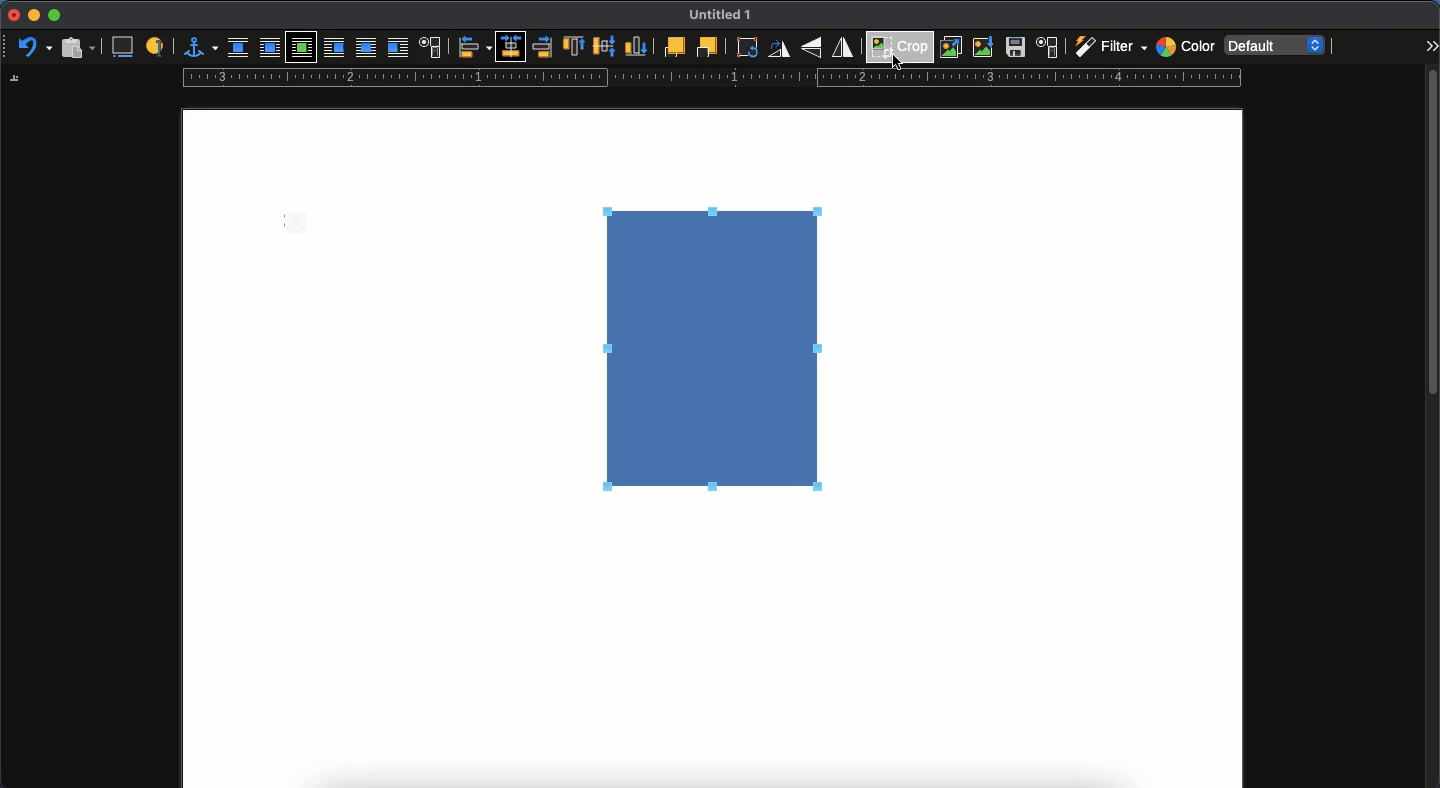 Image resolution: width=1440 pixels, height=788 pixels. Describe the element at coordinates (35, 48) in the screenshot. I see `undo` at that location.